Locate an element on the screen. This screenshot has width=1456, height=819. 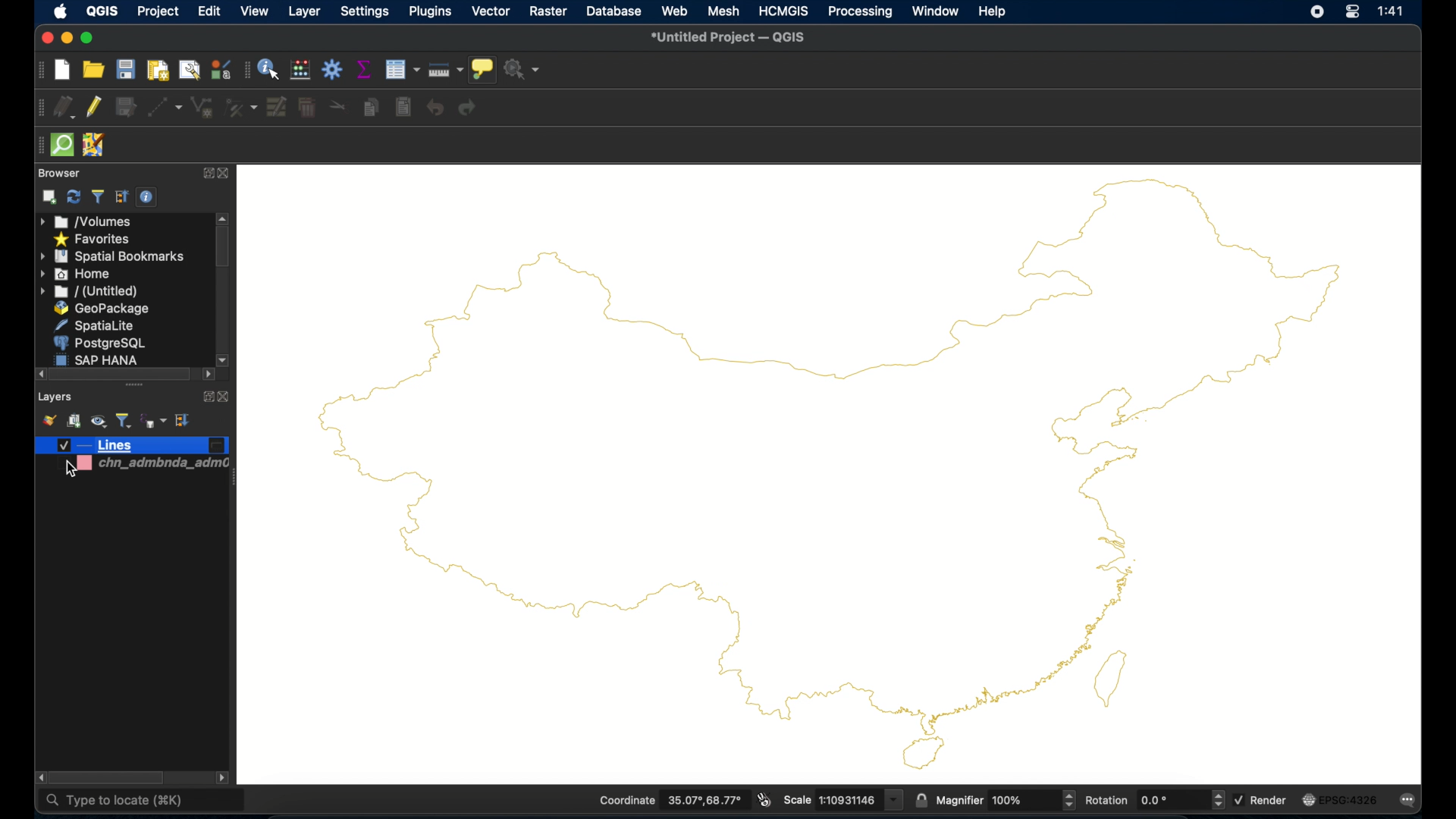
close is located at coordinates (224, 174).